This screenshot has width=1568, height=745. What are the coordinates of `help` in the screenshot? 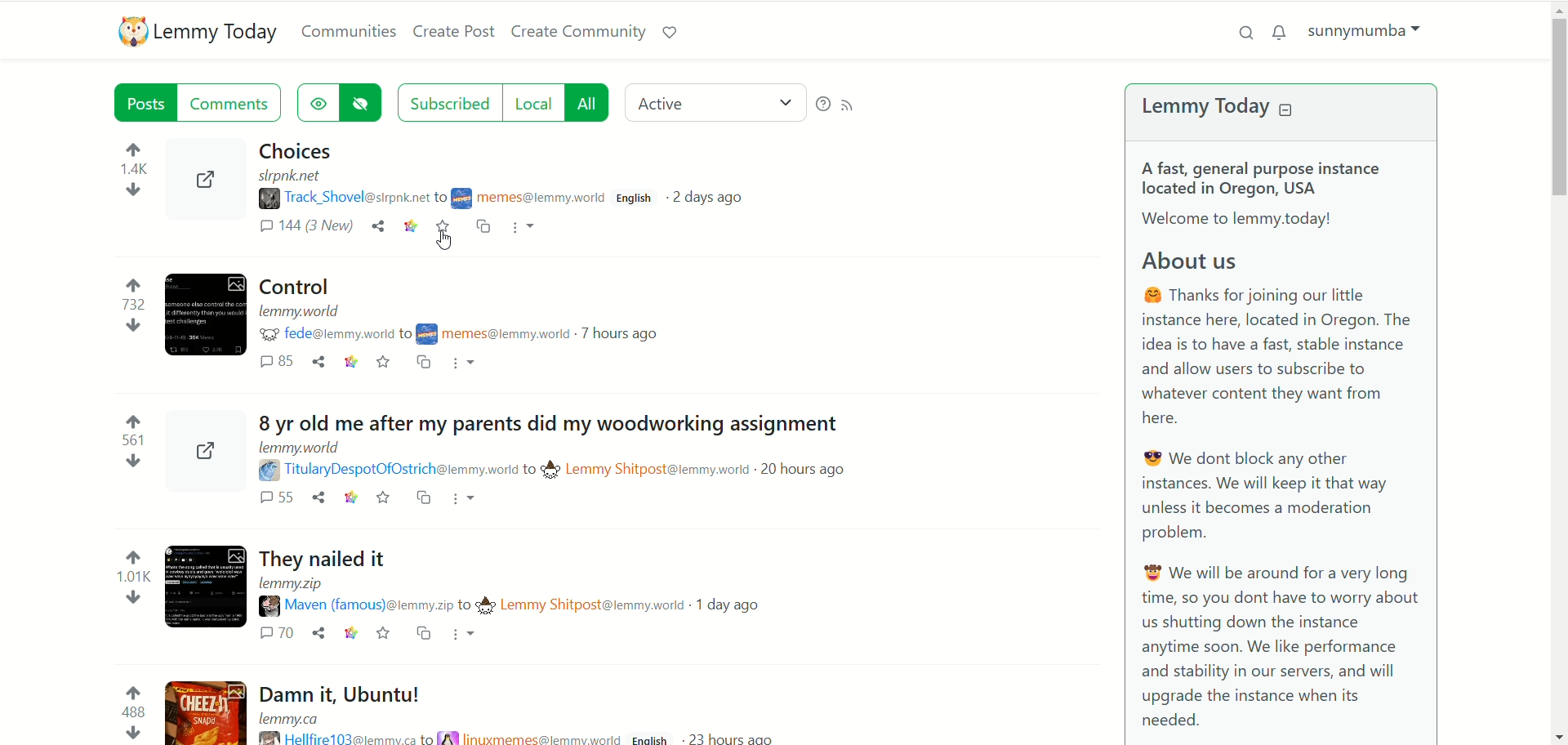 It's located at (822, 103).